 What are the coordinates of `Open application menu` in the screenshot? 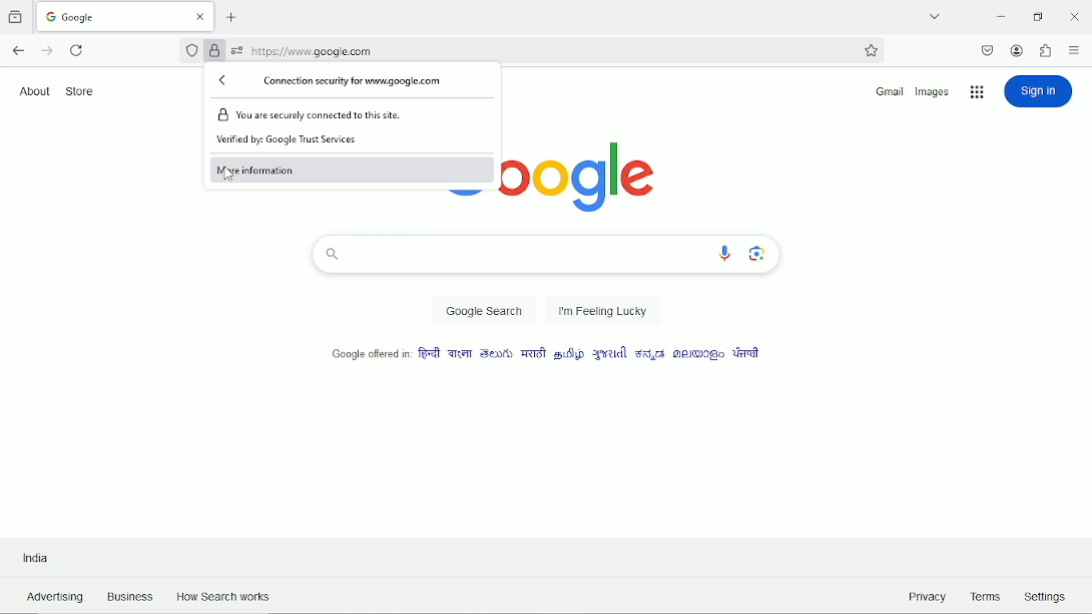 It's located at (1074, 50).